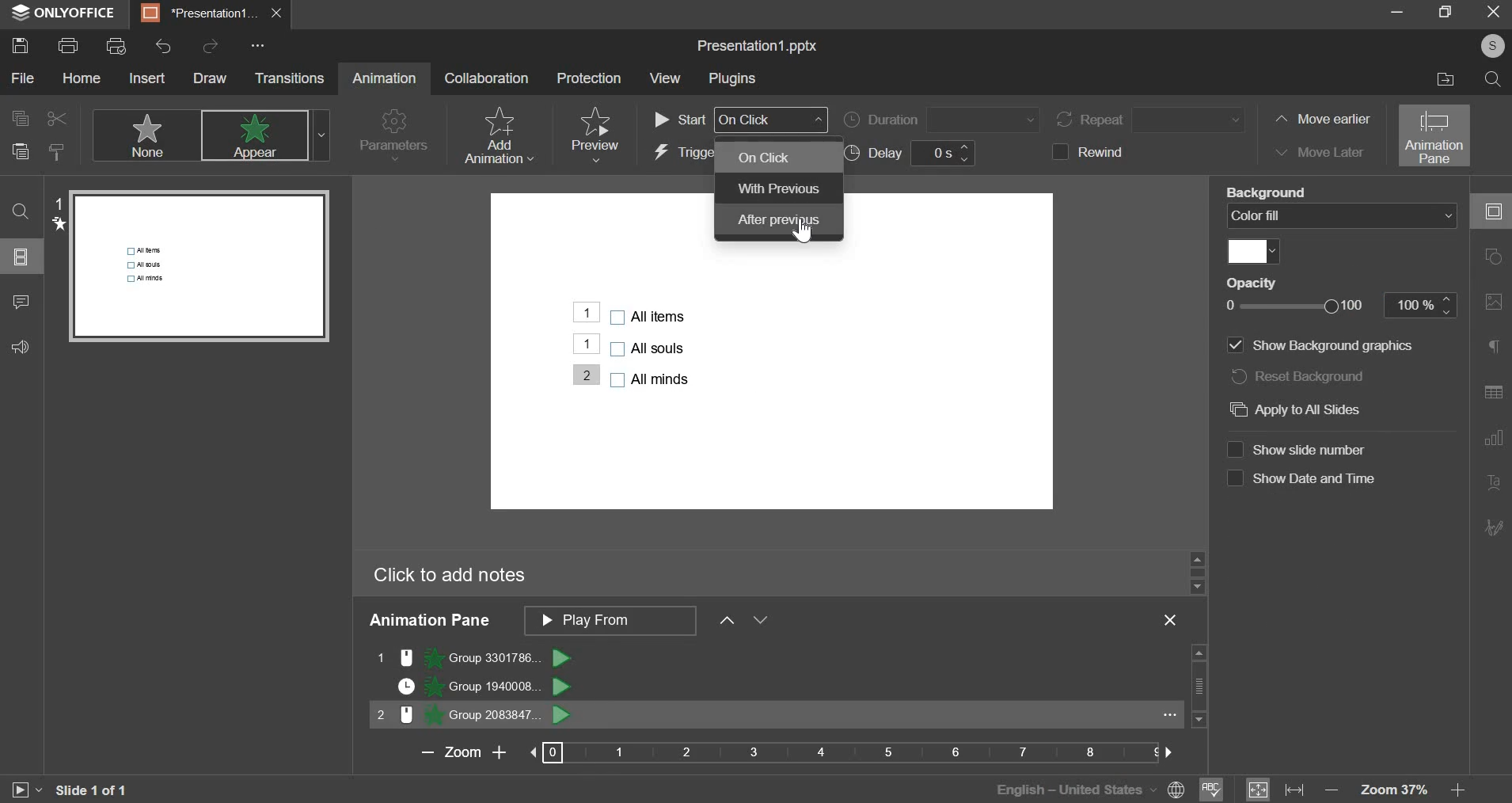 The width and height of the screenshot is (1512, 803). What do you see at coordinates (940, 120) in the screenshot?
I see `duration` at bounding box center [940, 120].